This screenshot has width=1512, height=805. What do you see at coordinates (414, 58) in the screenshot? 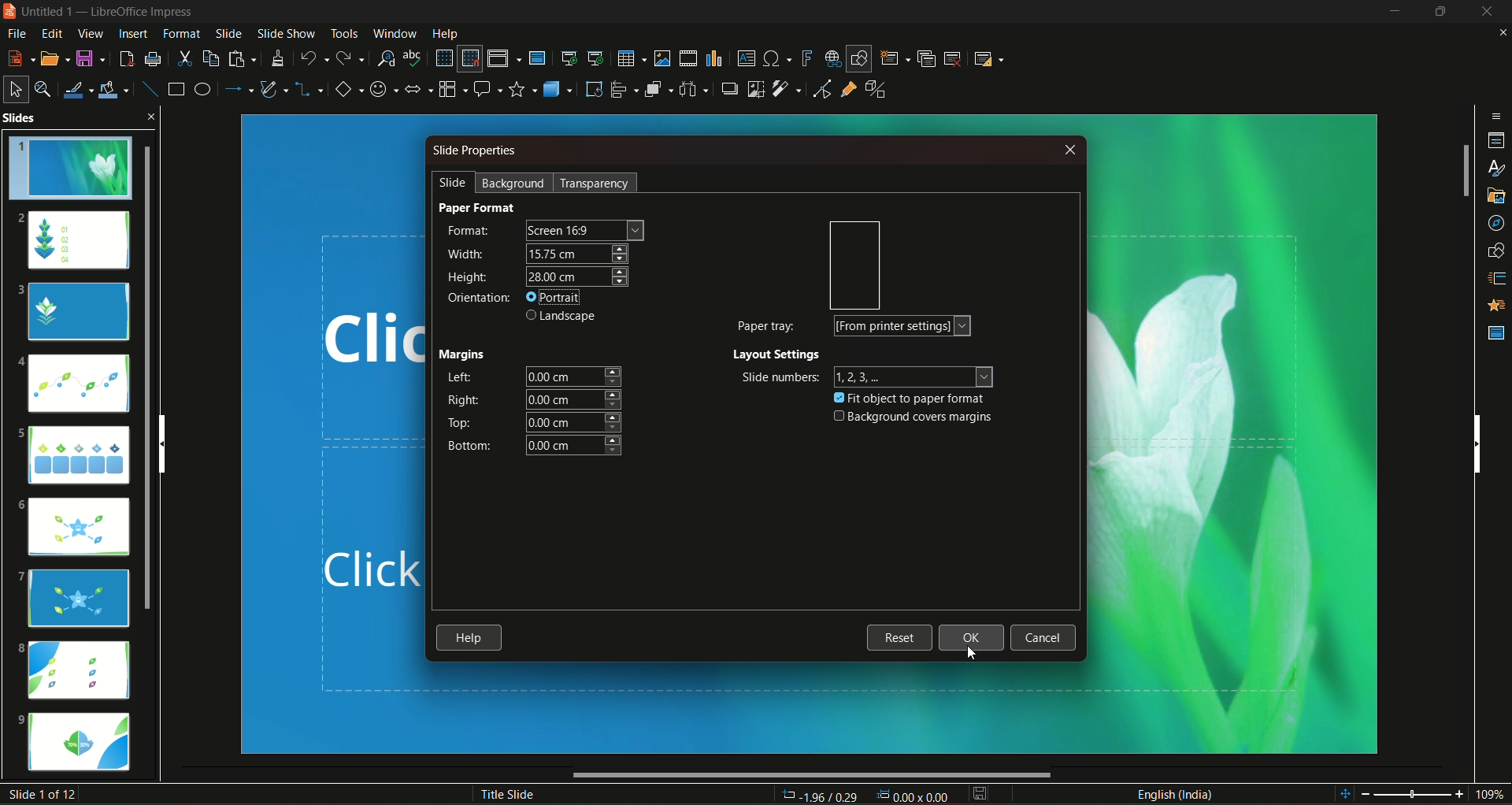
I see `spelling` at bounding box center [414, 58].